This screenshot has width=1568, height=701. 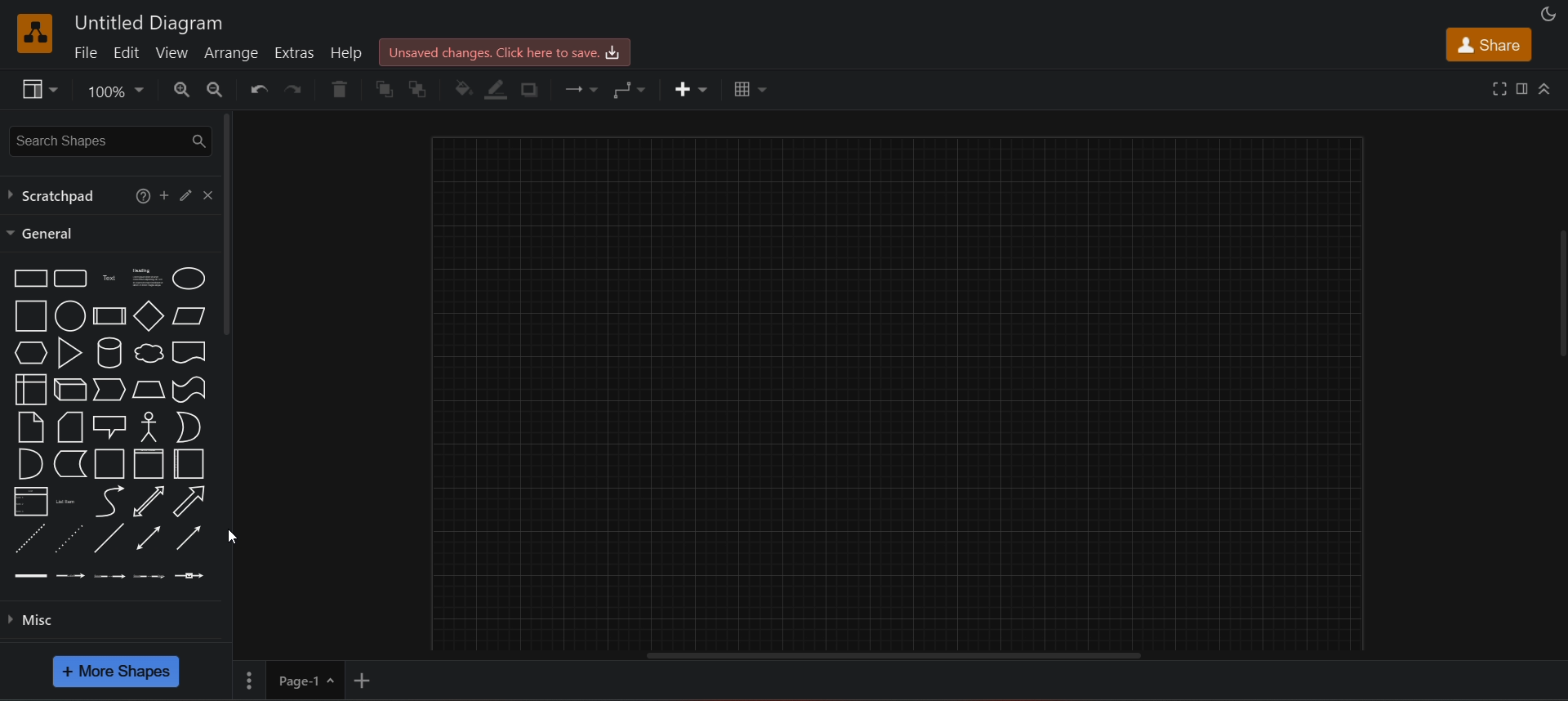 What do you see at coordinates (148, 315) in the screenshot?
I see `diamond` at bounding box center [148, 315].